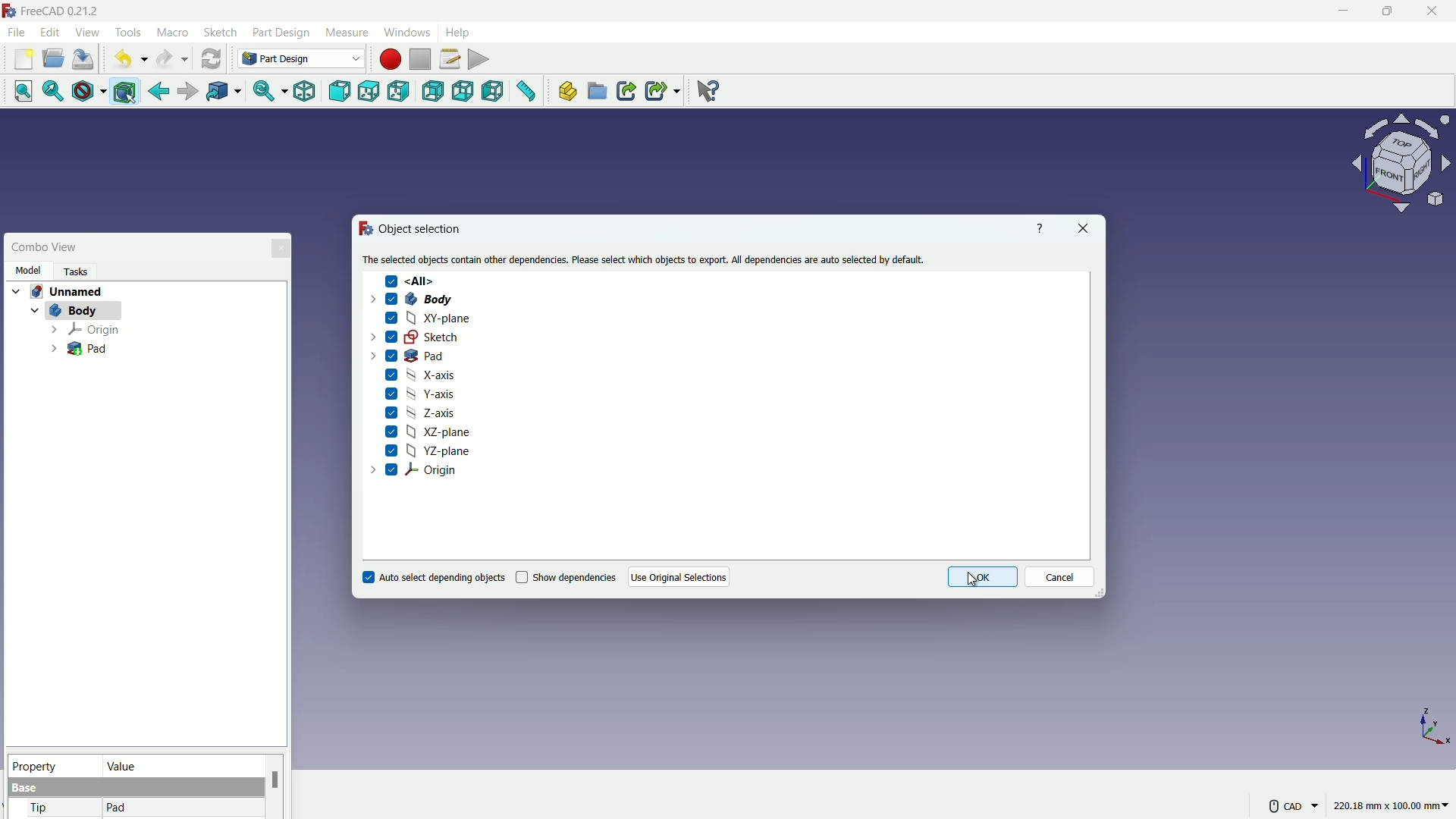  I want to click on file, so click(16, 31).